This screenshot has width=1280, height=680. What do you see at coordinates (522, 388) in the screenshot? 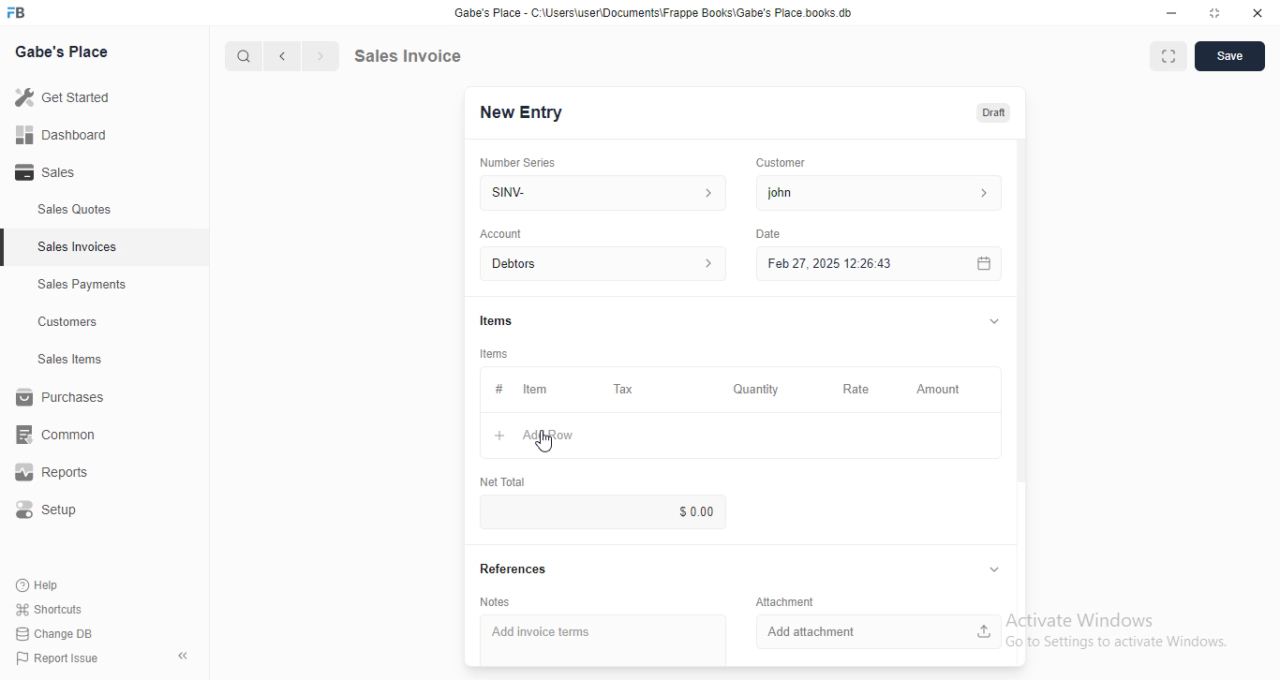
I see `# item` at bounding box center [522, 388].